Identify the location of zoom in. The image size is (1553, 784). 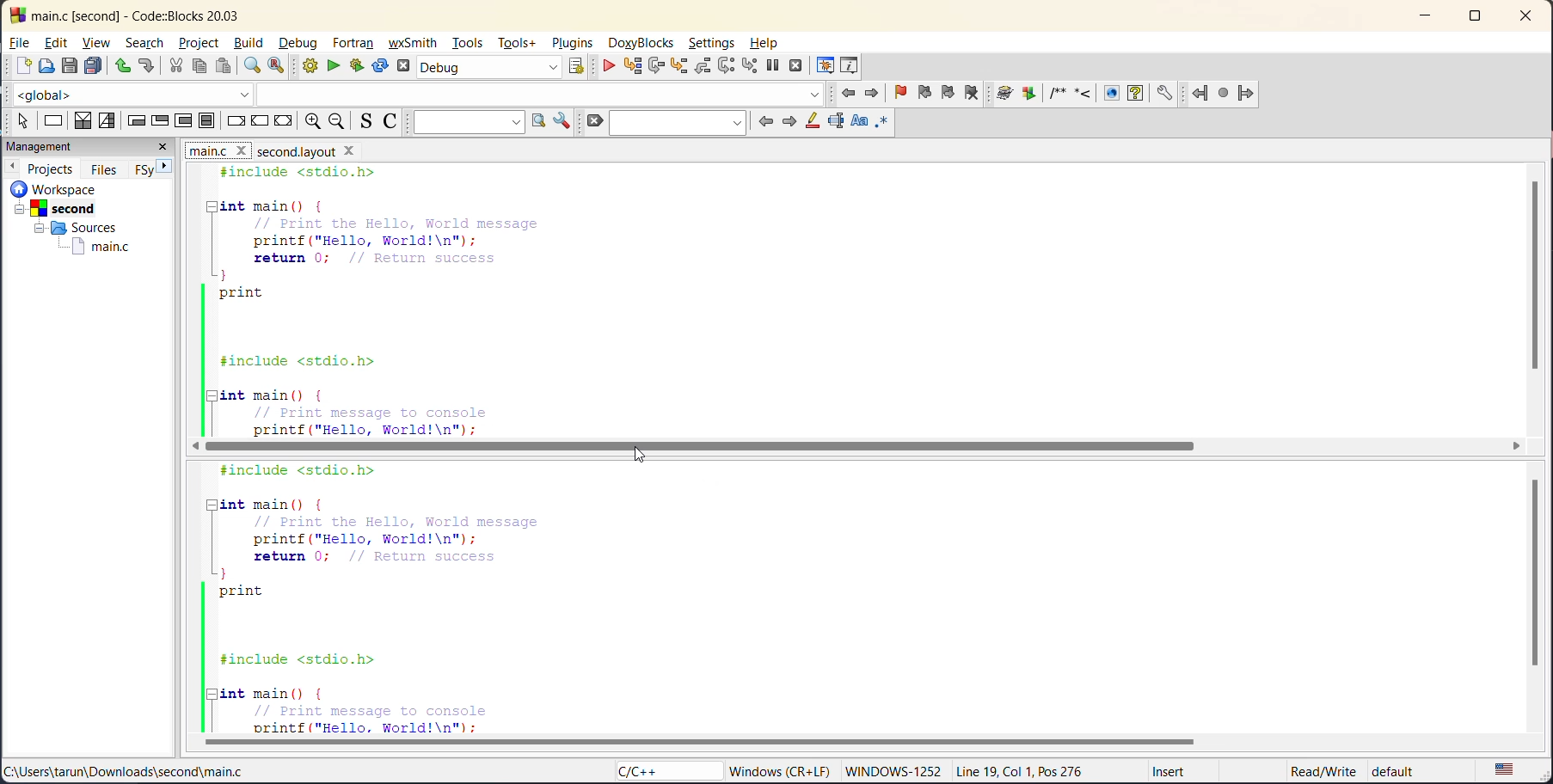
(314, 121).